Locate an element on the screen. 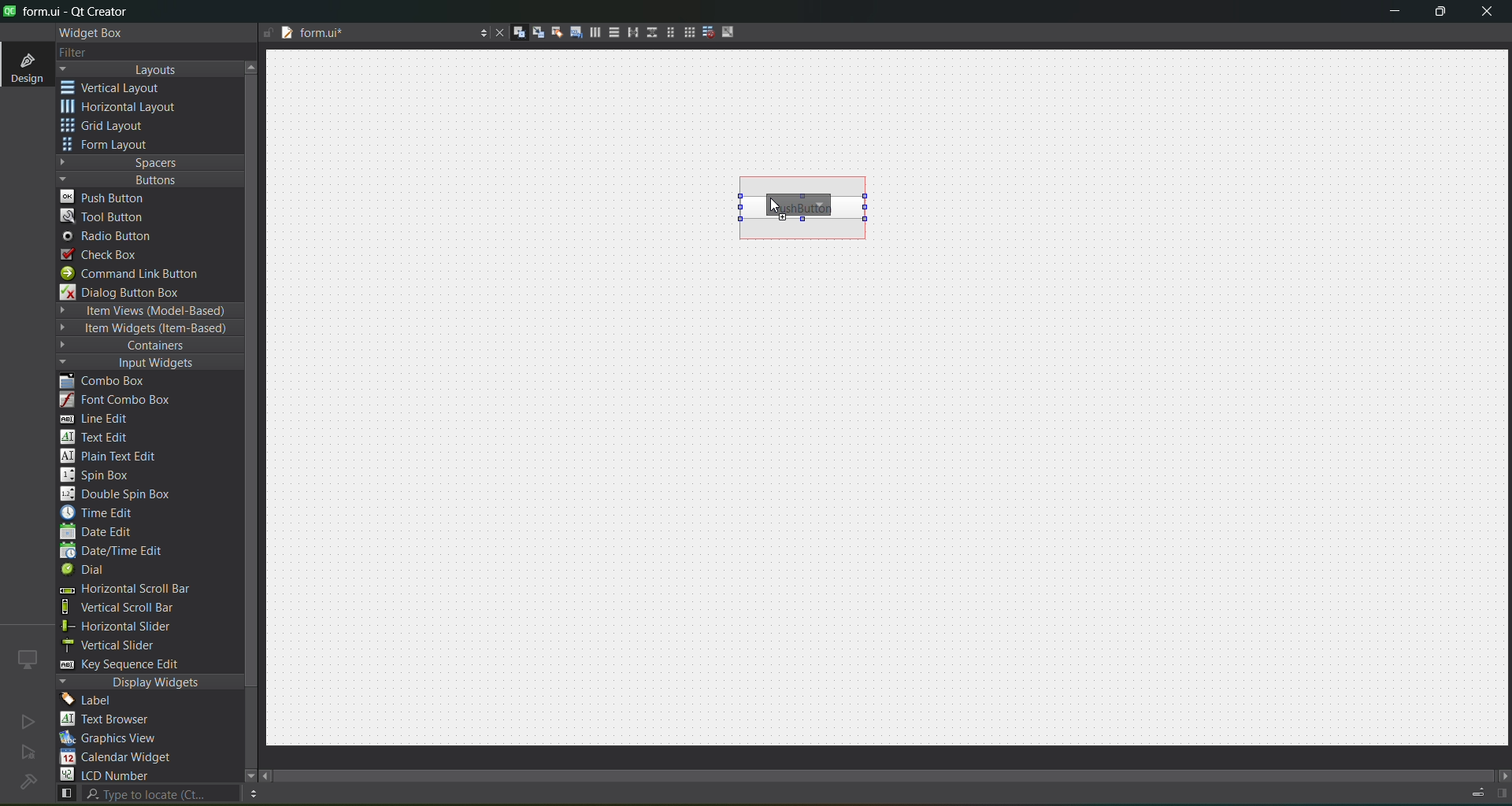 Image resolution: width=1512 pixels, height=806 pixels. layout vertically is located at coordinates (610, 31).